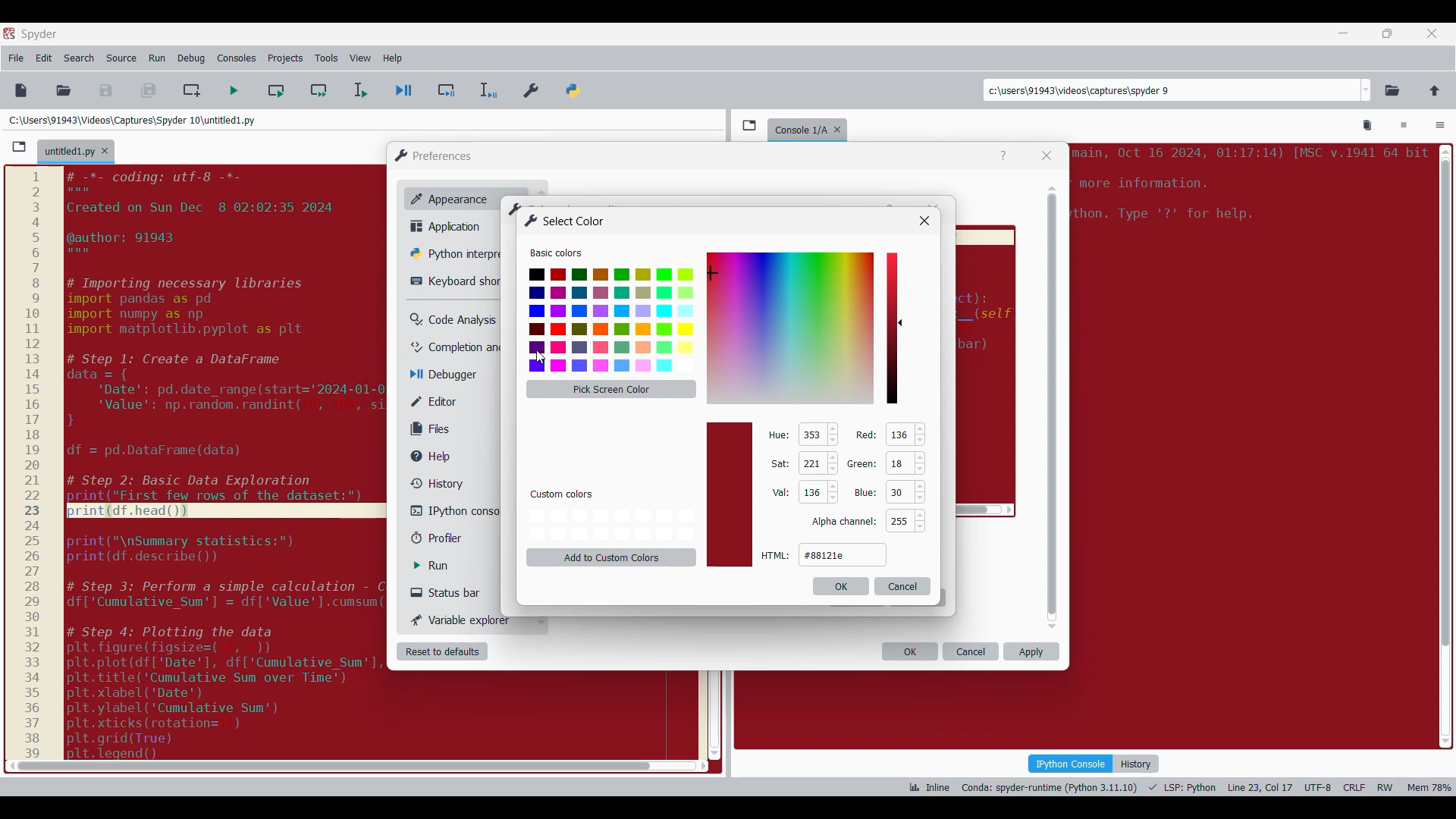 The image size is (1456, 819). Describe the element at coordinates (318, 90) in the screenshot. I see `Run current cell and go to next one` at that location.